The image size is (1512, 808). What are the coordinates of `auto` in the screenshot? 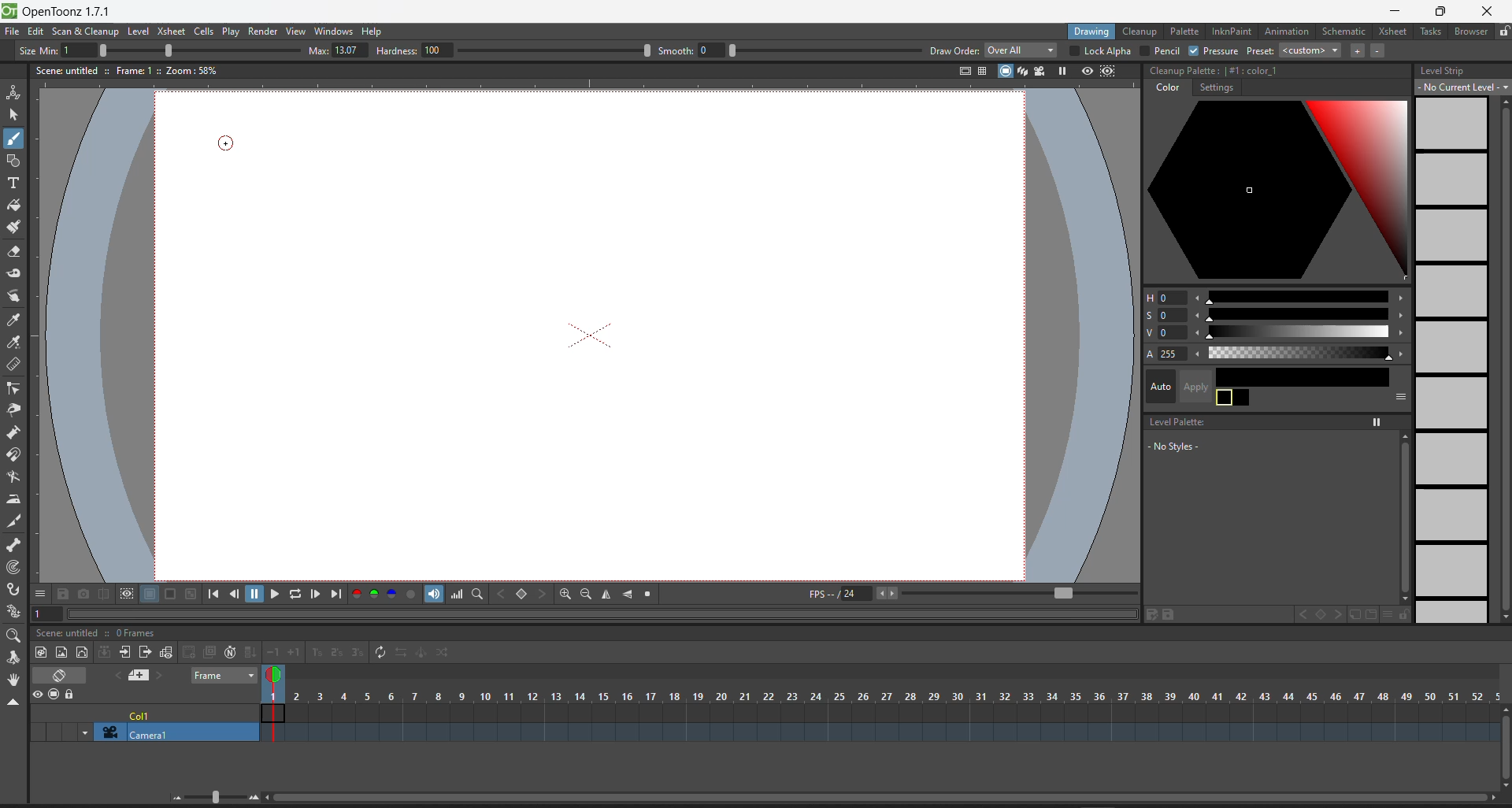 It's located at (1158, 387).